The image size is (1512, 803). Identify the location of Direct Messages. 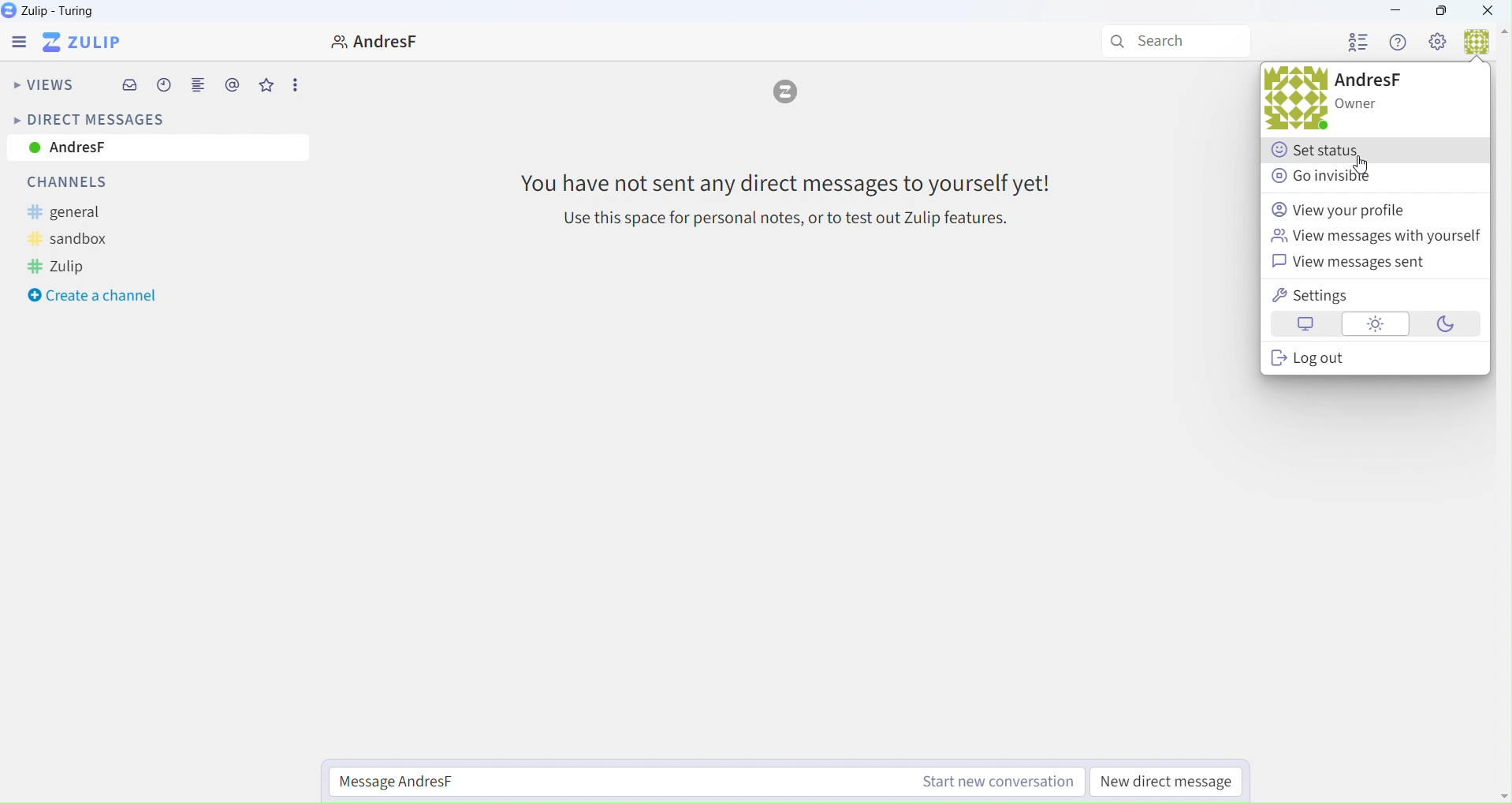
(88, 118).